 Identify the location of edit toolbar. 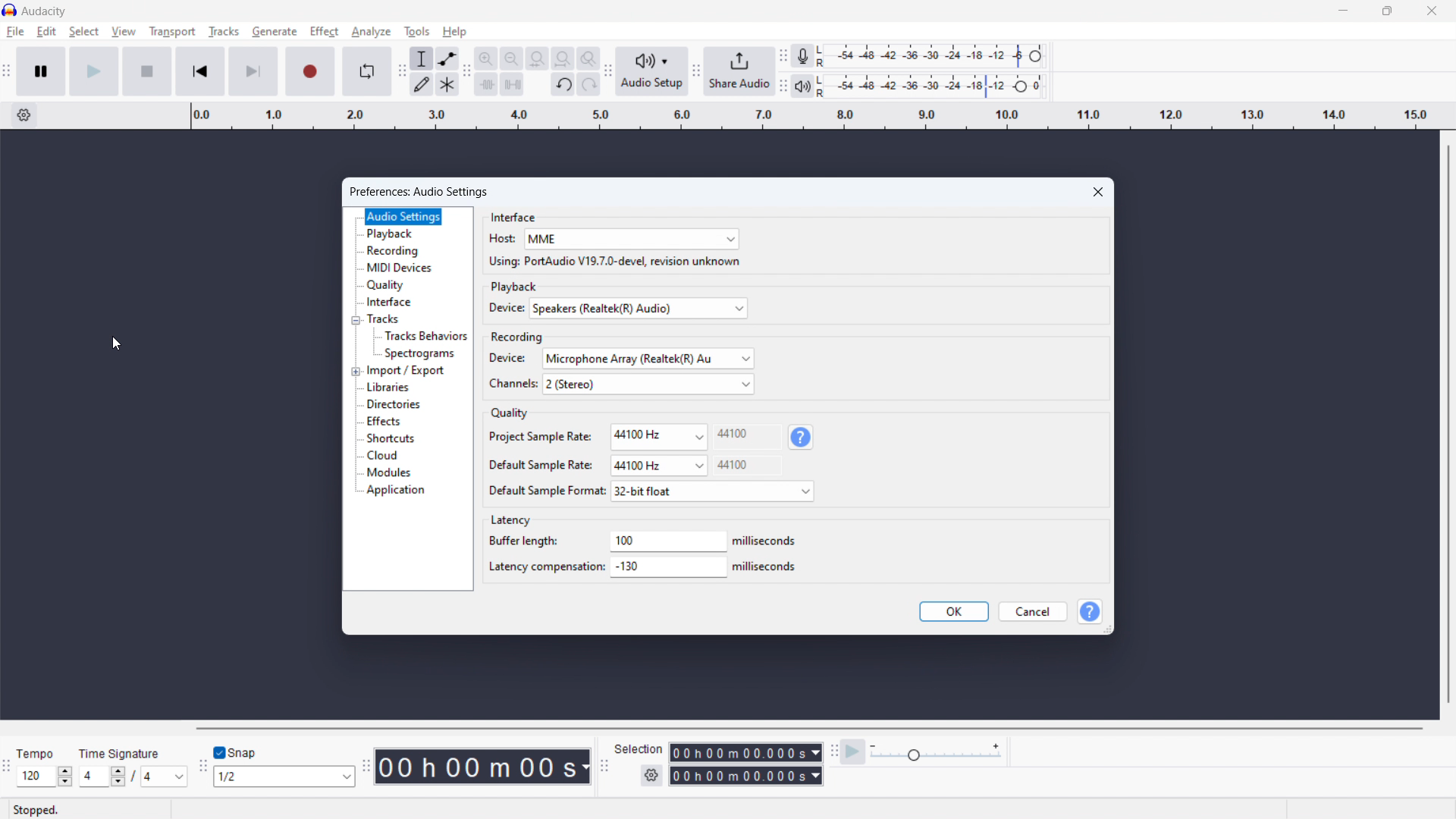
(466, 71).